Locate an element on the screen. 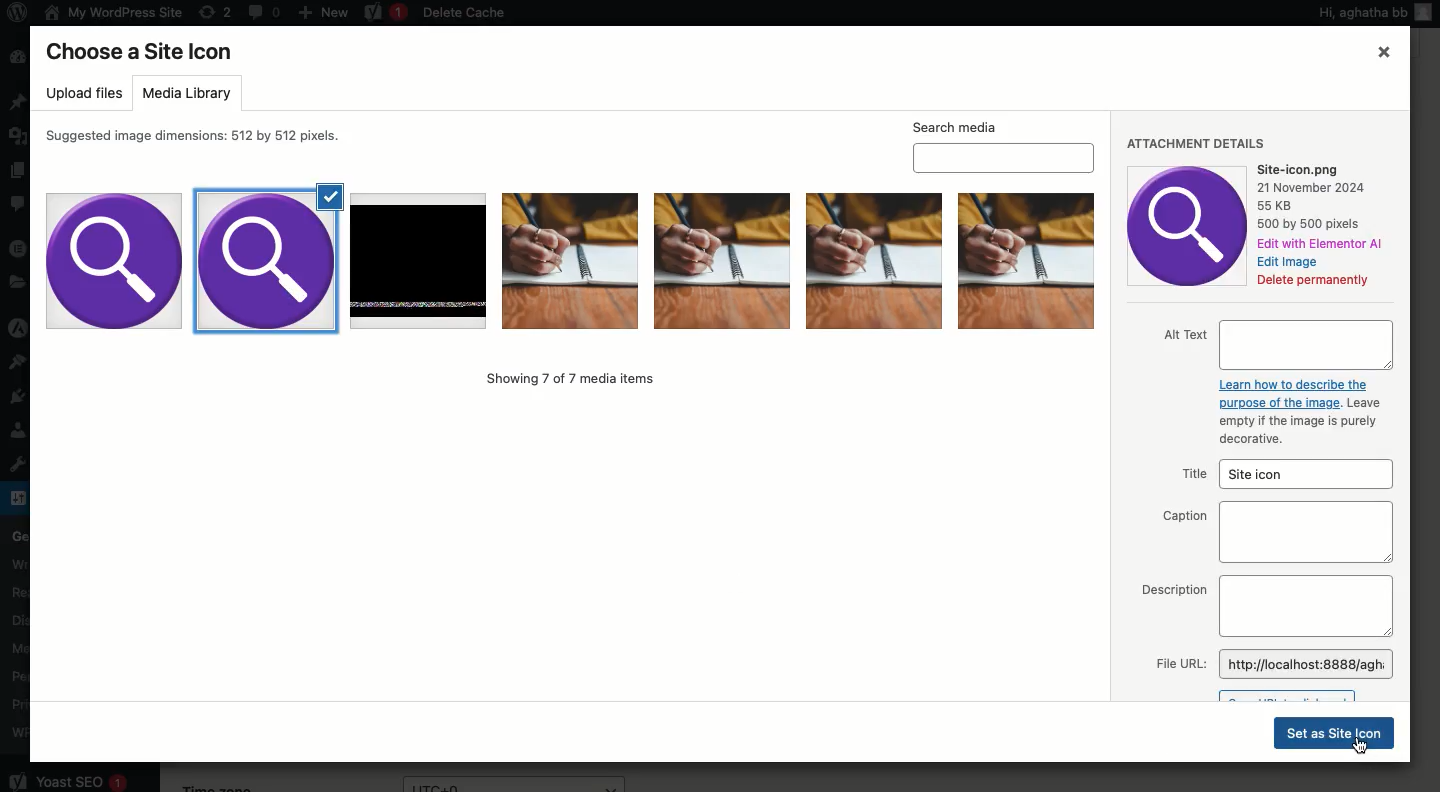 This screenshot has width=1440, height=792. Search media is located at coordinates (1003, 145).